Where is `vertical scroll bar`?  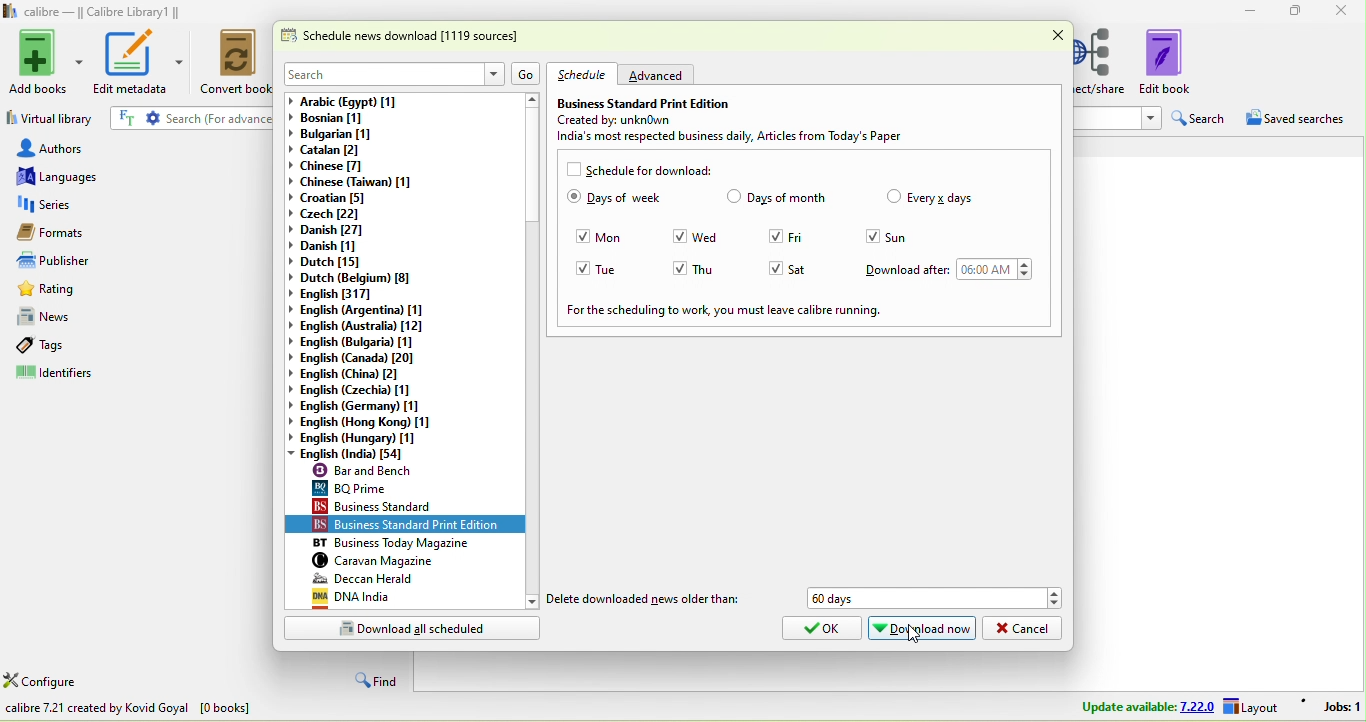
vertical scroll bar is located at coordinates (533, 352).